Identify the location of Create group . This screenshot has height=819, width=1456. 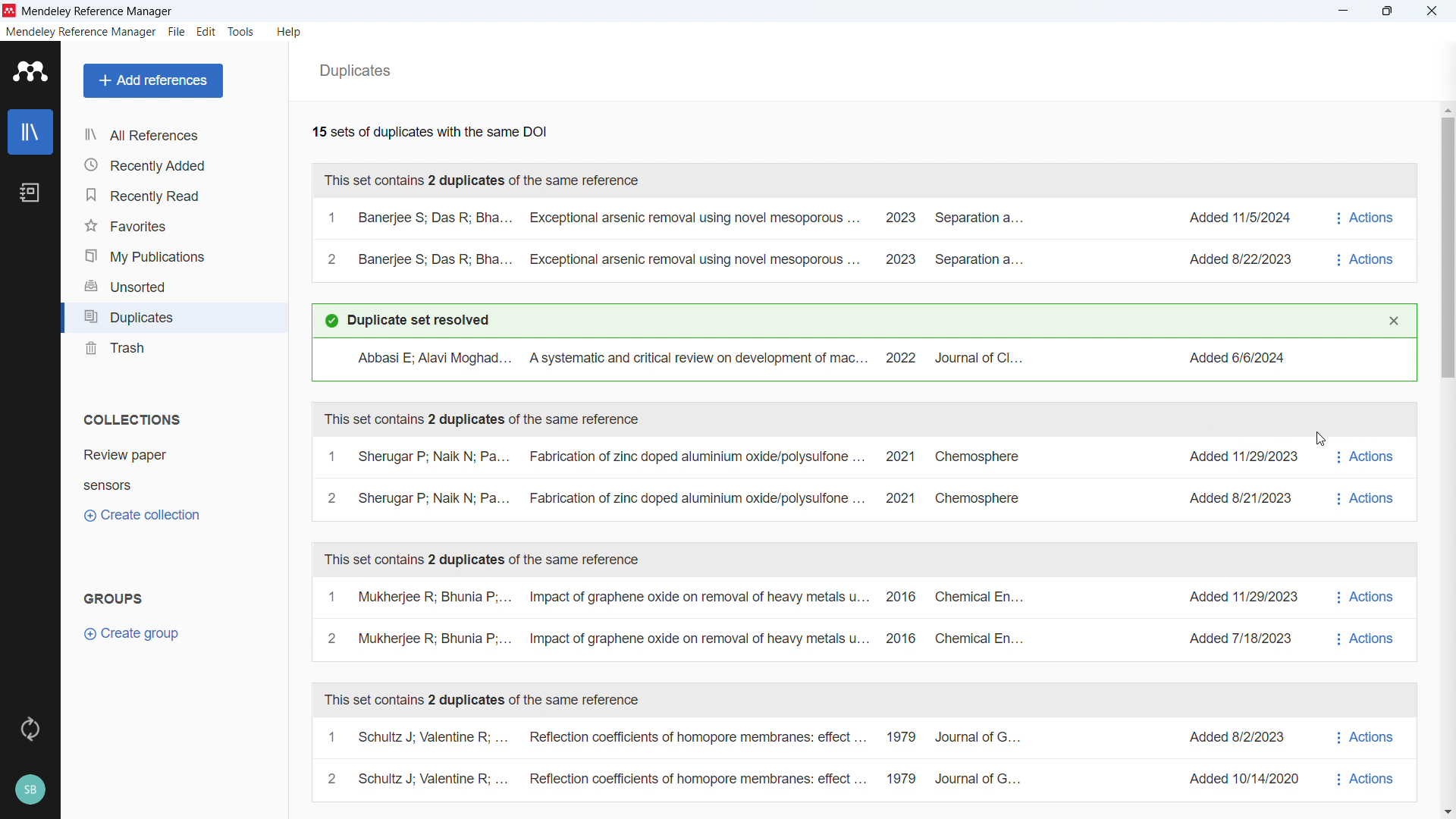
(134, 635).